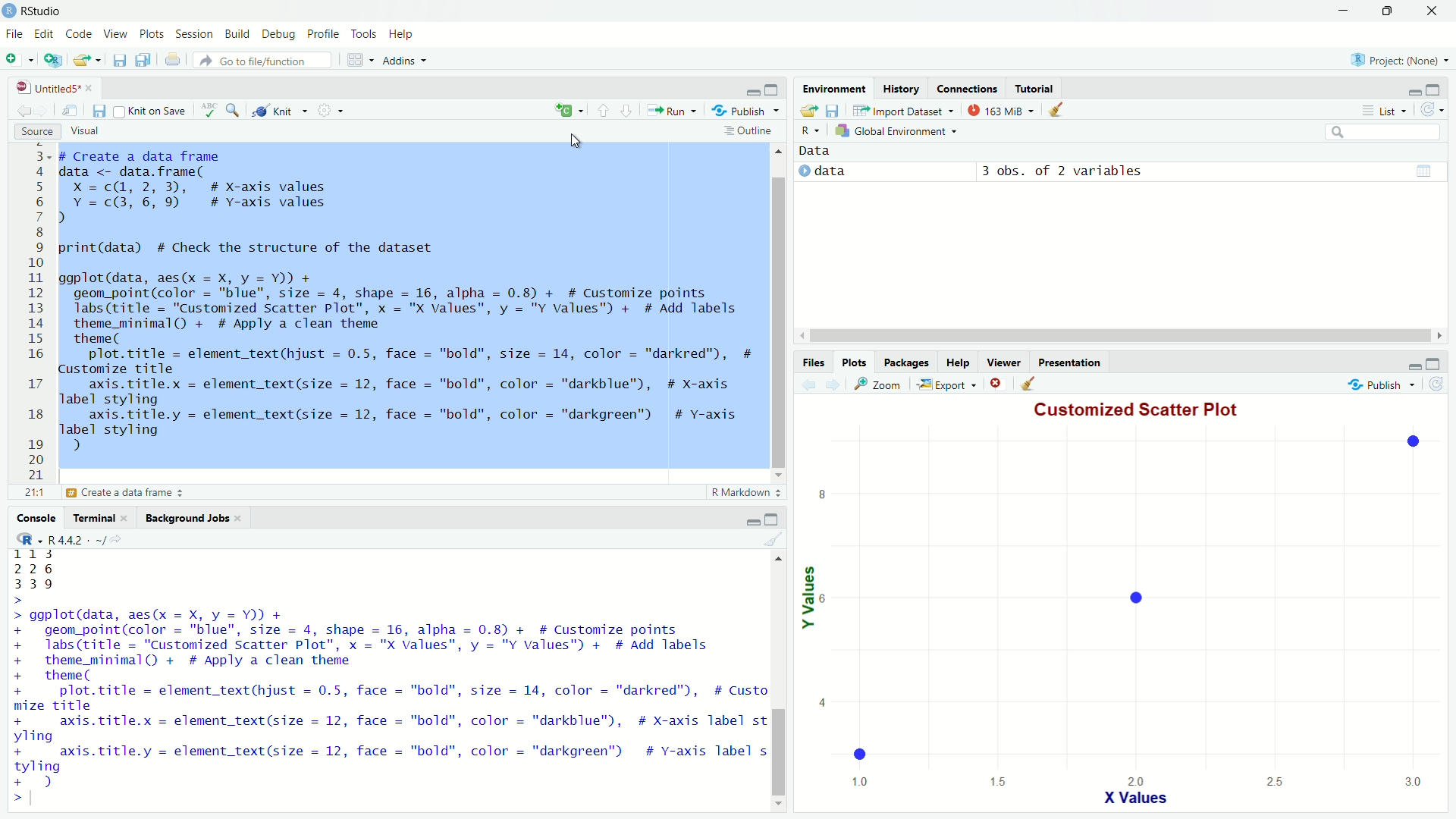  Describe the element at coordinates (100, 518) in the screenshot. I see `Terminal` at that location.